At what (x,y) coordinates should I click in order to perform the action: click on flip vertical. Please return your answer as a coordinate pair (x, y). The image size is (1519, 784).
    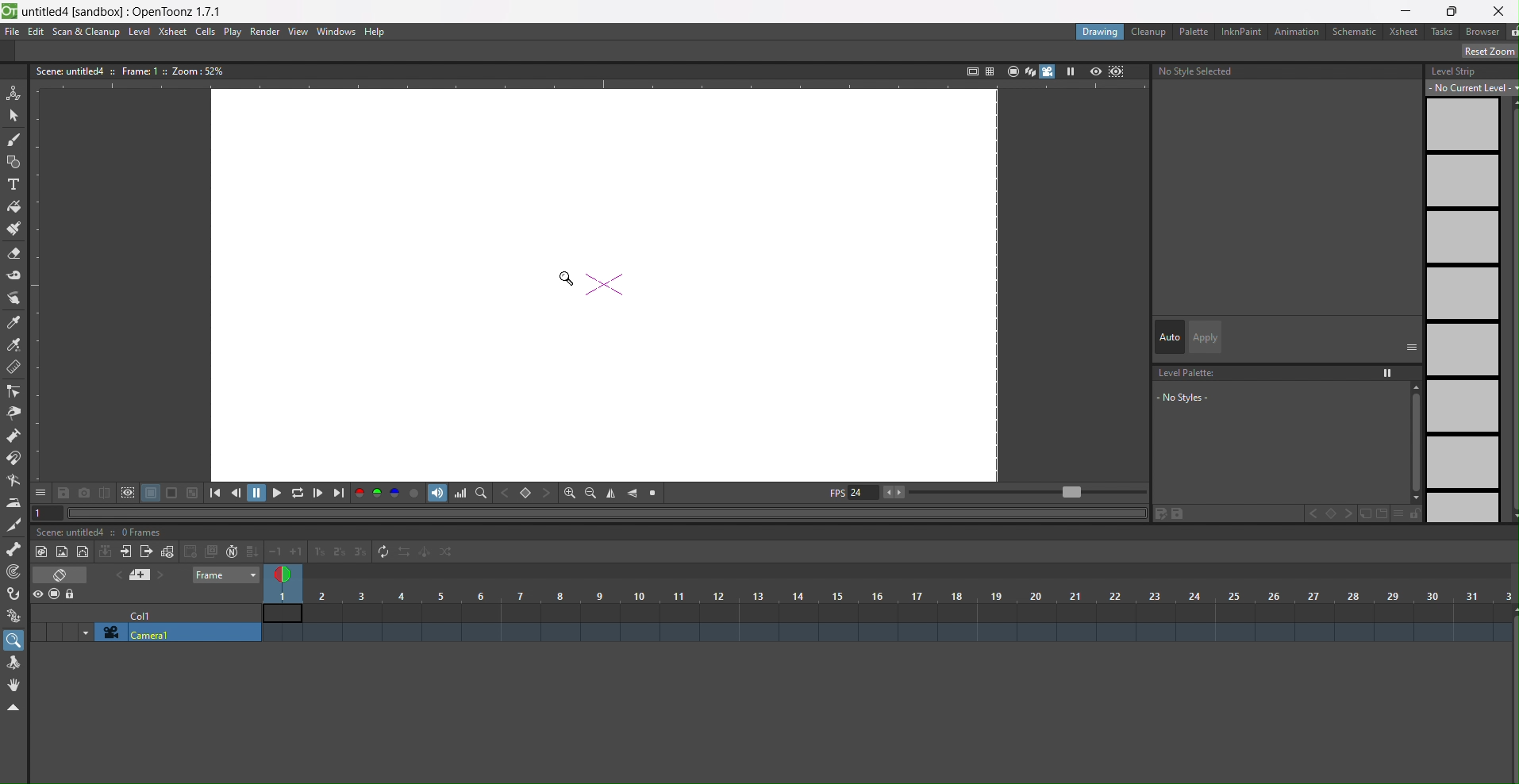
    Looking at the image, I should click on (613, 492).